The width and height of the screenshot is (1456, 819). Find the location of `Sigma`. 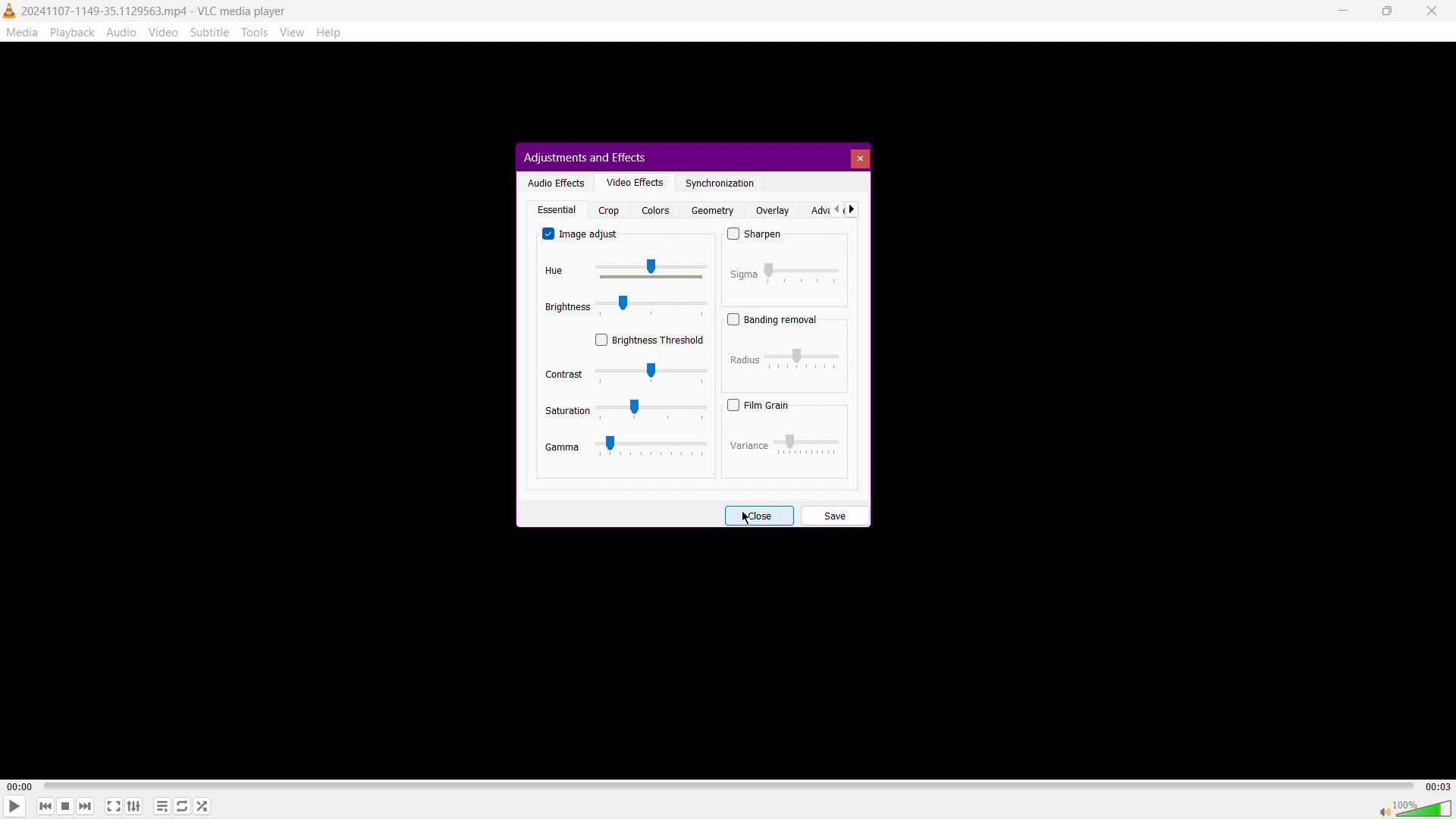

Sigma is located at coordinates (785, 271).